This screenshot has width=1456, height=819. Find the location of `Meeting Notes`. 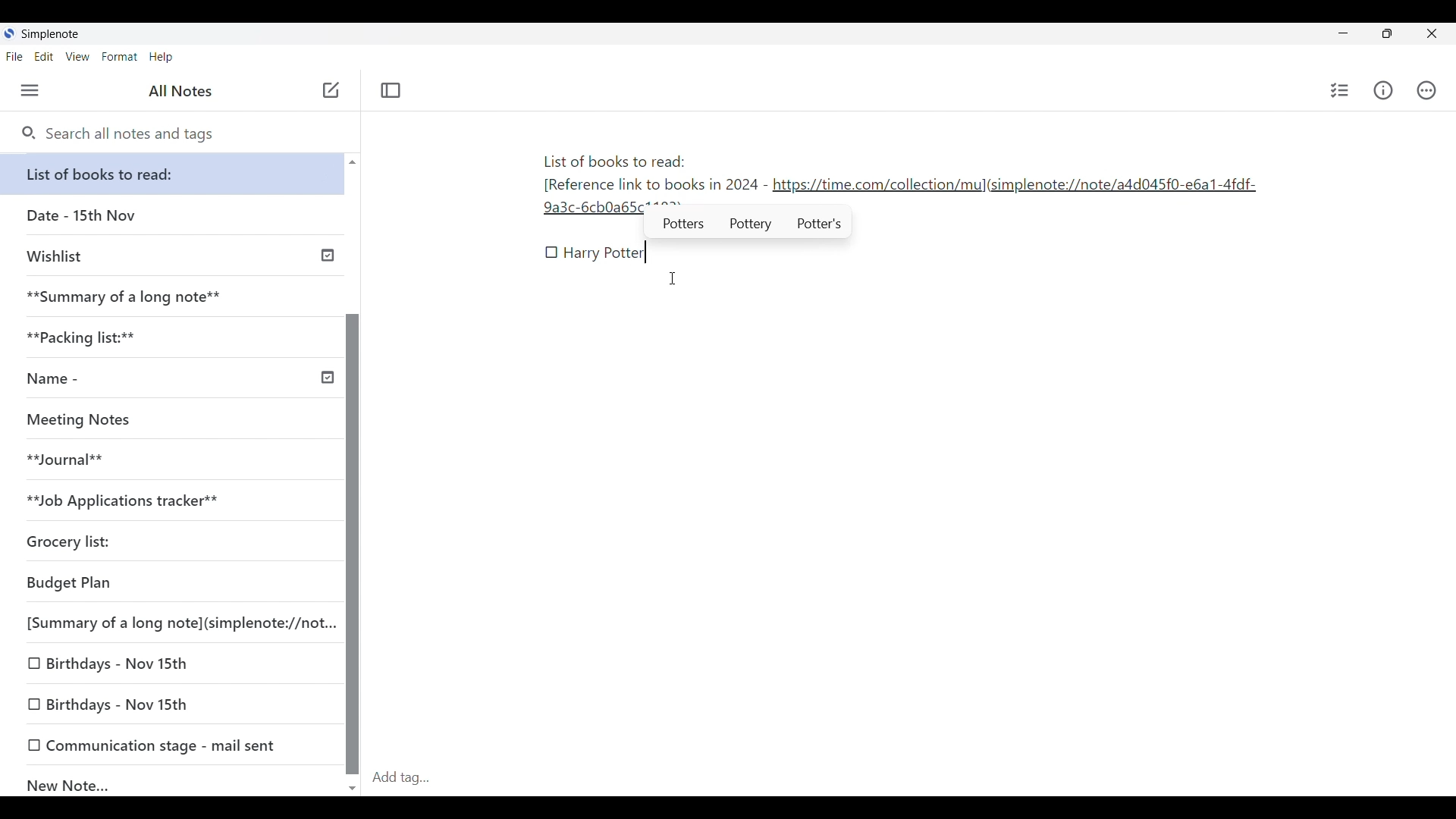

Meeting Notes is located at coordinates (167, 420).